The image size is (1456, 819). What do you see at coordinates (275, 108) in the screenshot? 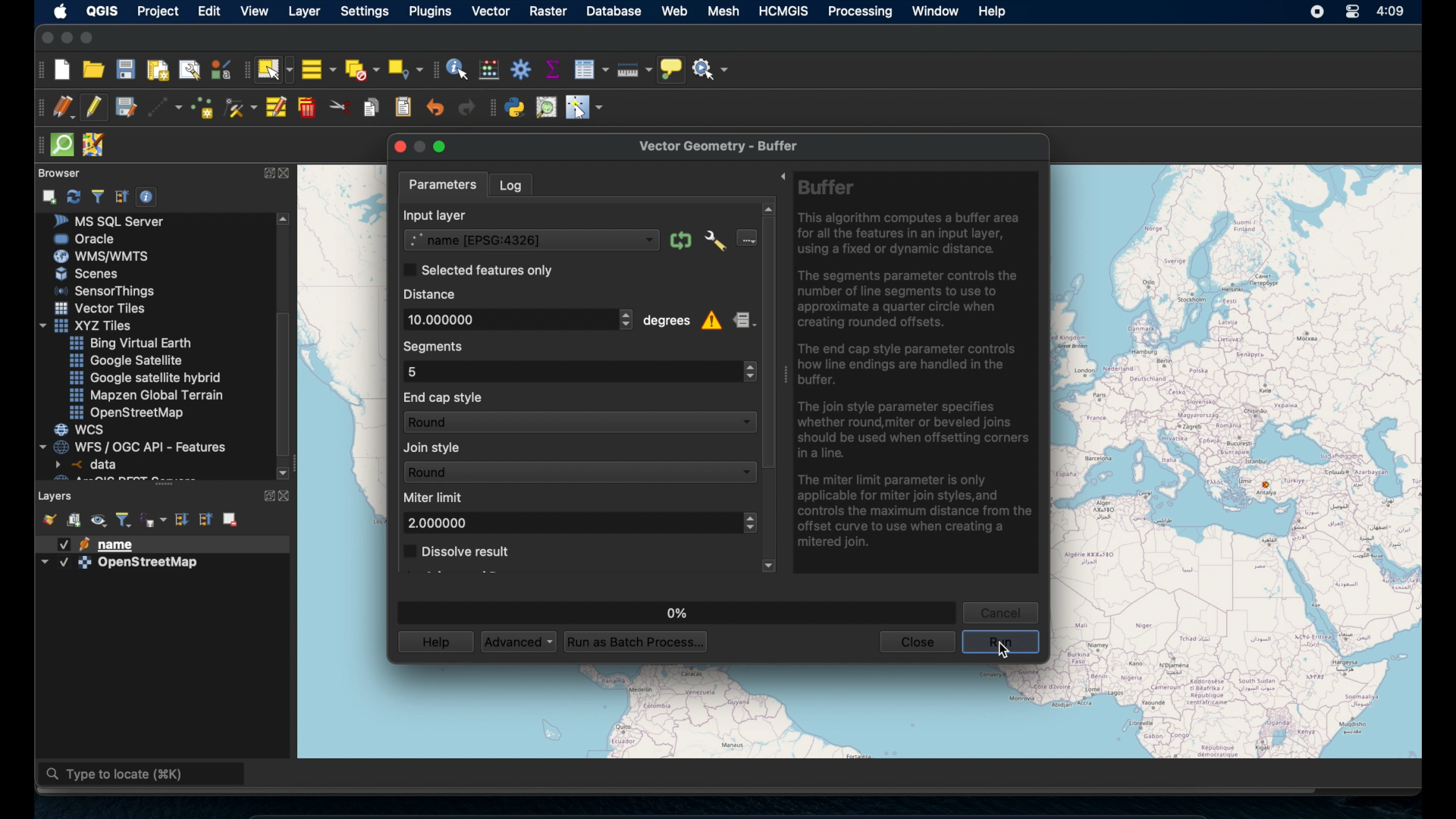
I see `modify attributes` at bounding box center [275, 108].